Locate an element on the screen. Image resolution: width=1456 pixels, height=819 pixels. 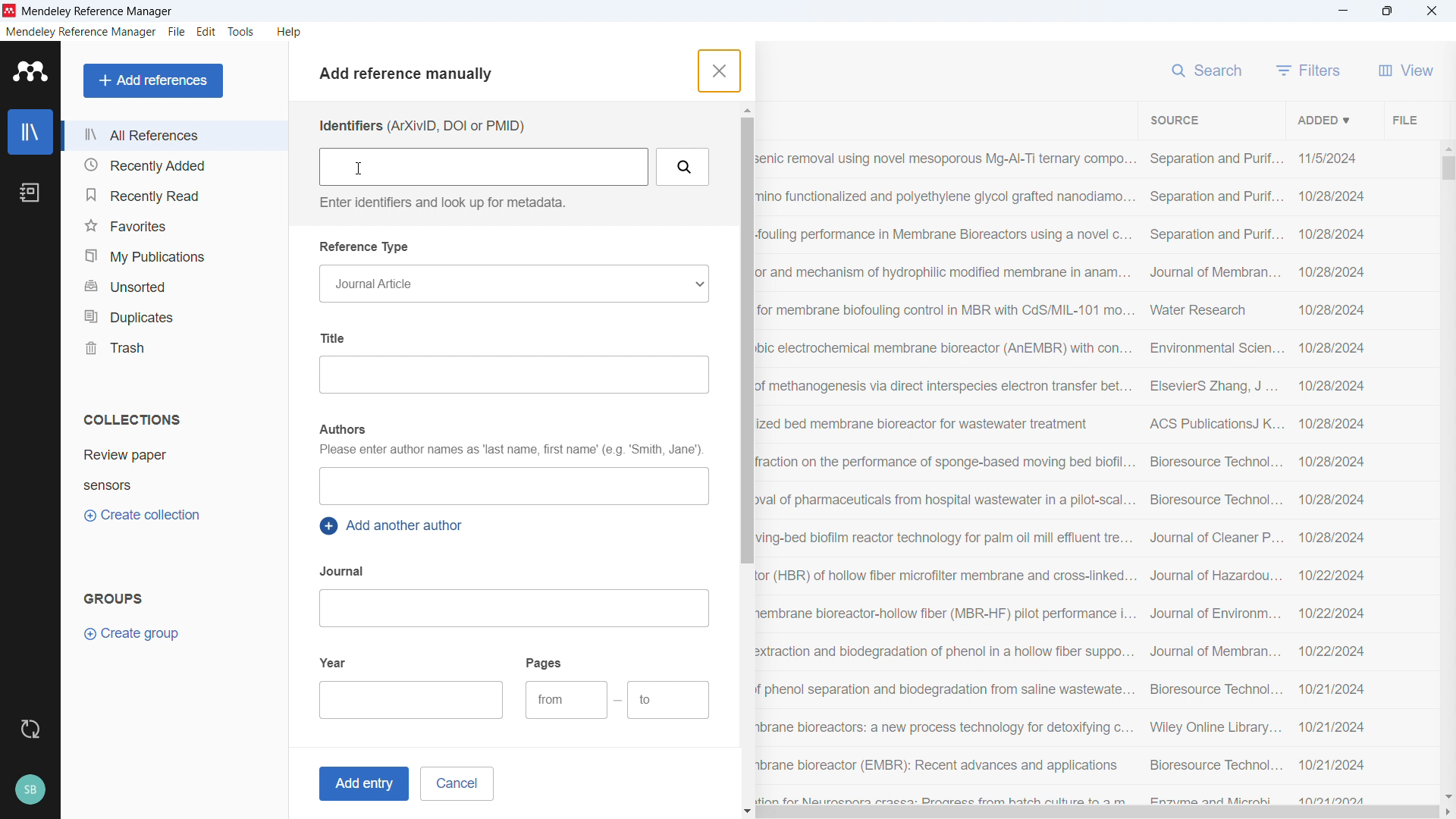
Favourites  is located at coordinates (173, 225).